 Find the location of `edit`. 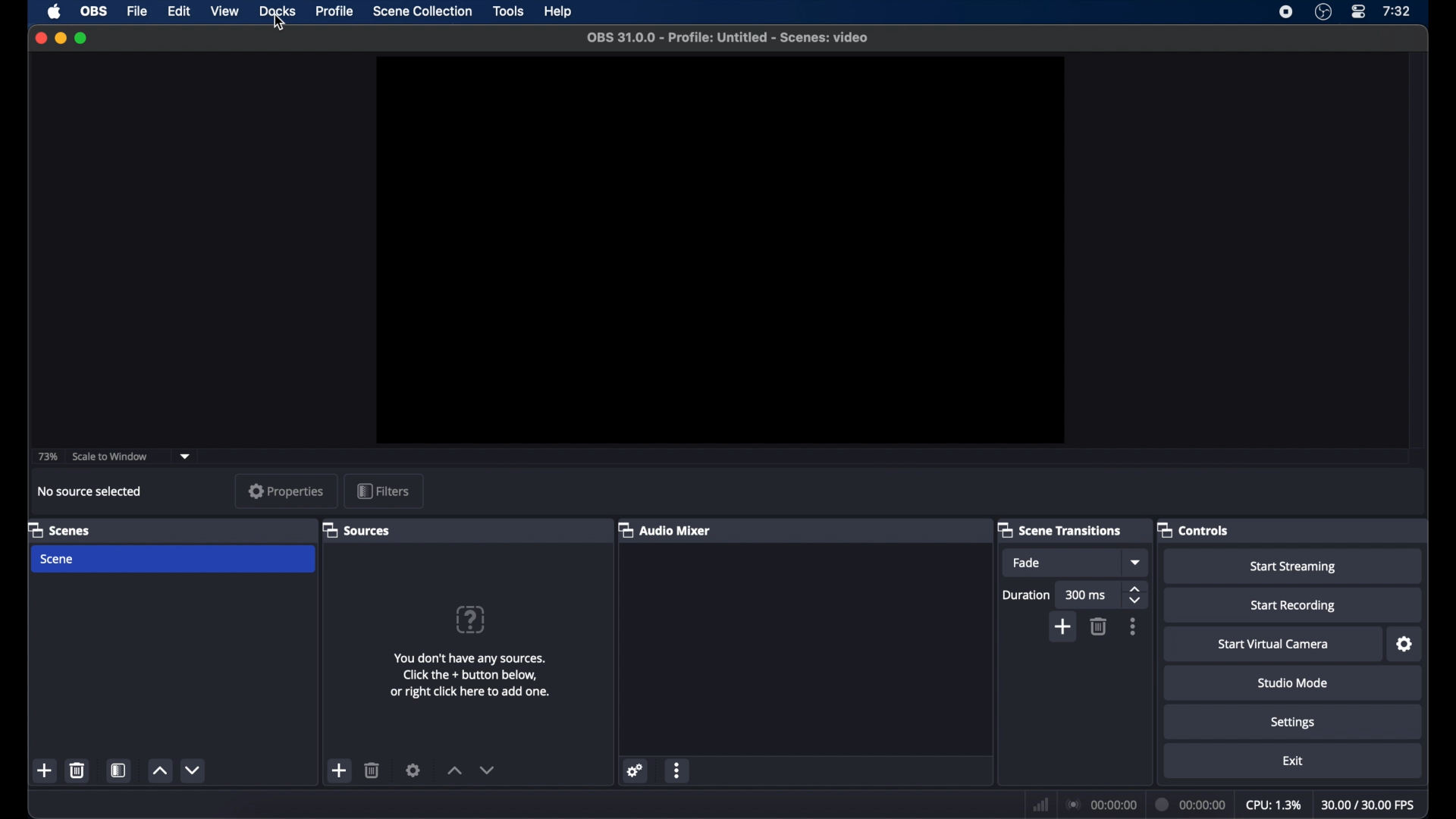

edit is located at coordinates (179, 10).